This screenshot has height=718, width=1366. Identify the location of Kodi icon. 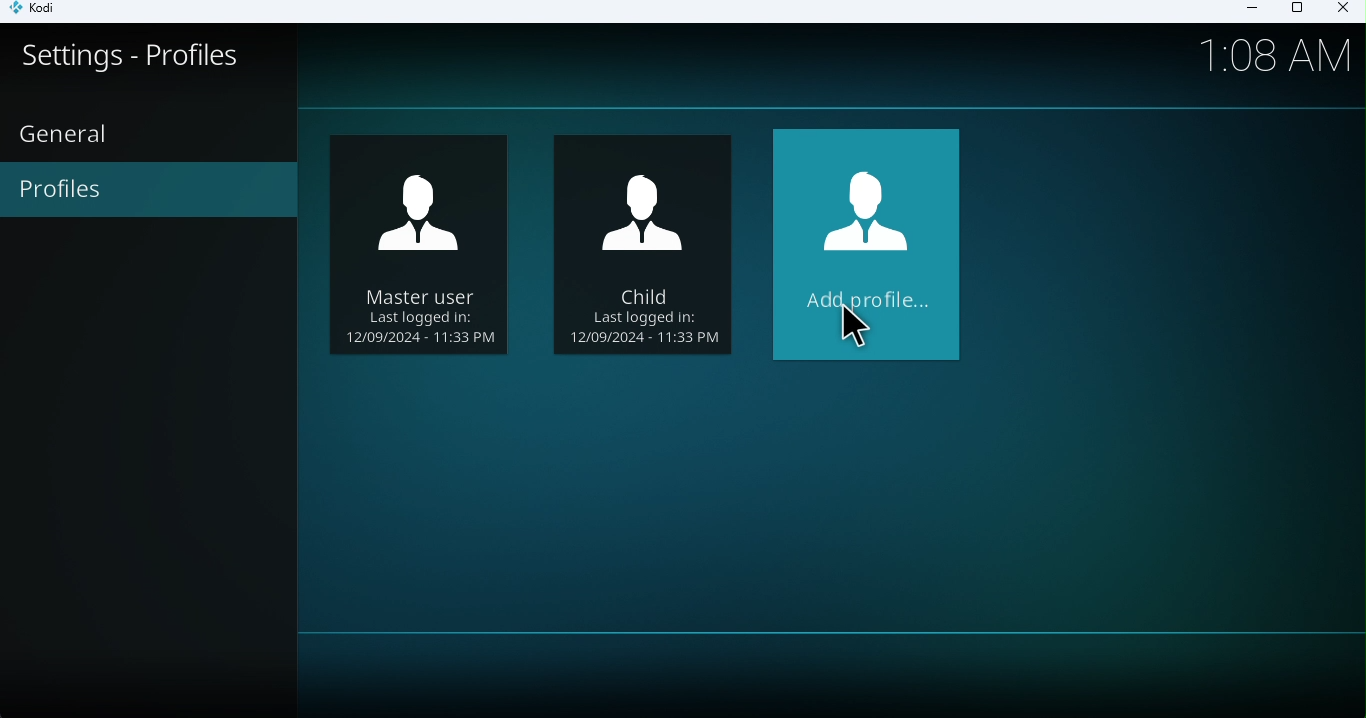
(42, 12).